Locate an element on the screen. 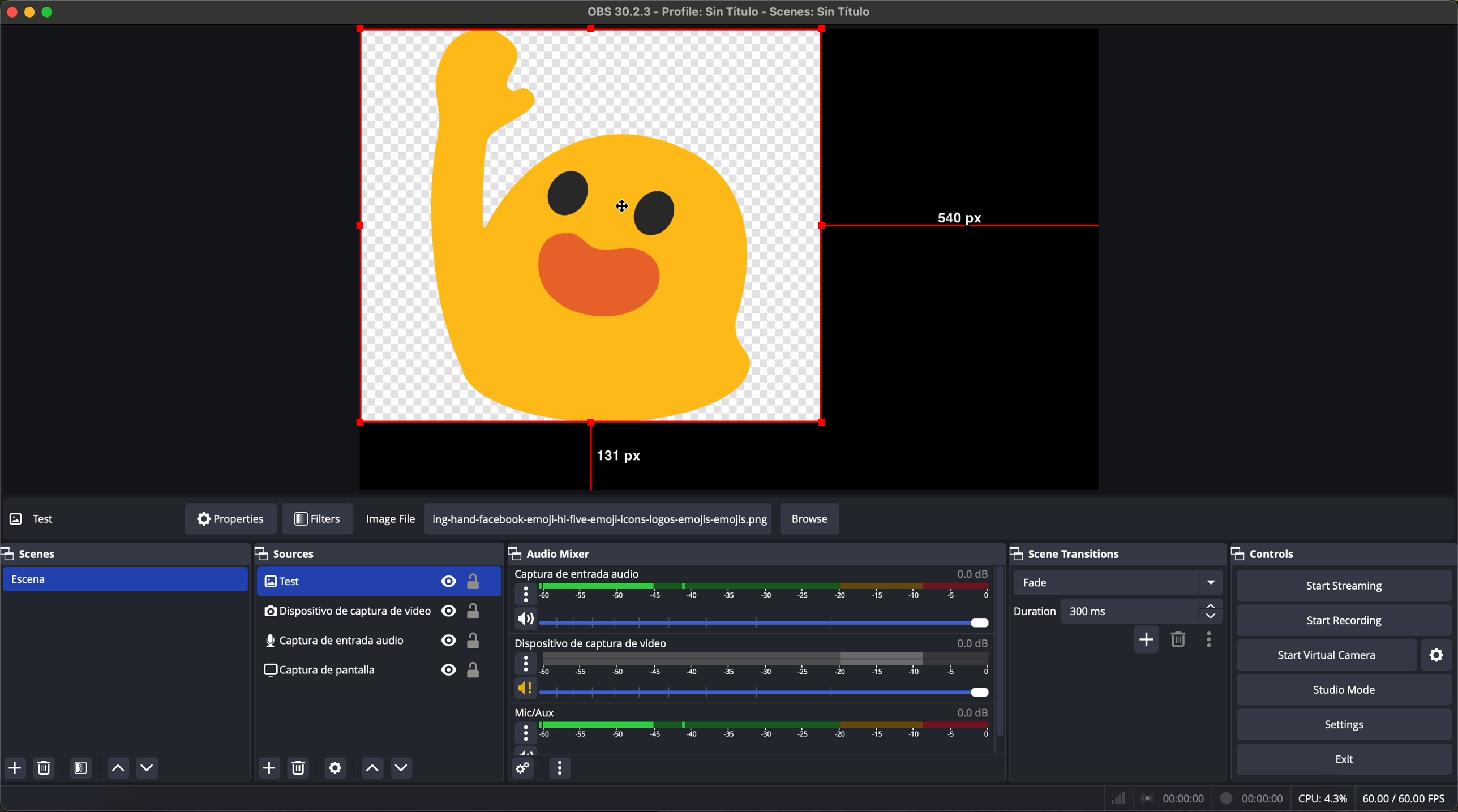  remove configurable transition is located at coordinates (1180, 641).